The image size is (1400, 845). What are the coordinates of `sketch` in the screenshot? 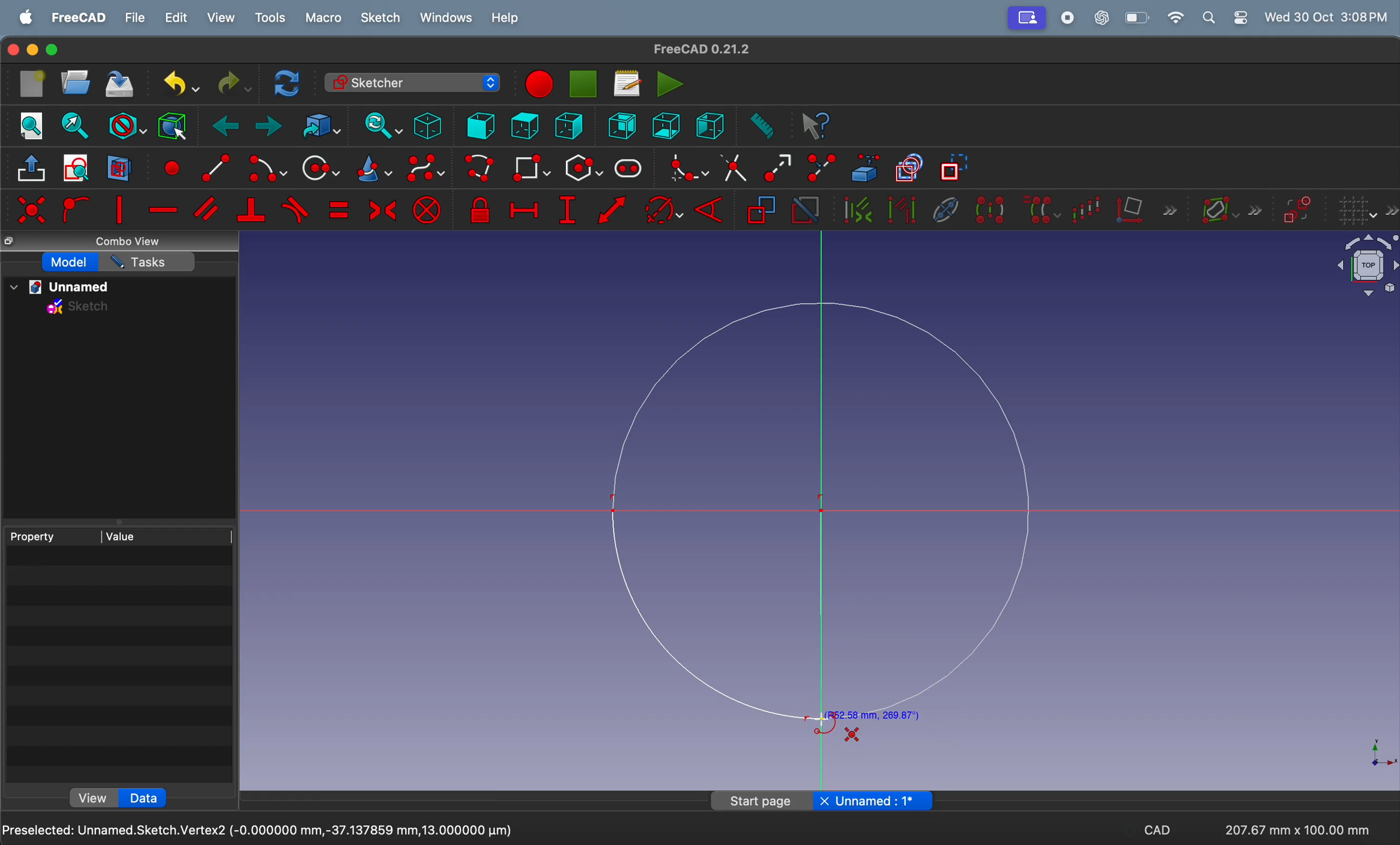 It's located at (381, 18).